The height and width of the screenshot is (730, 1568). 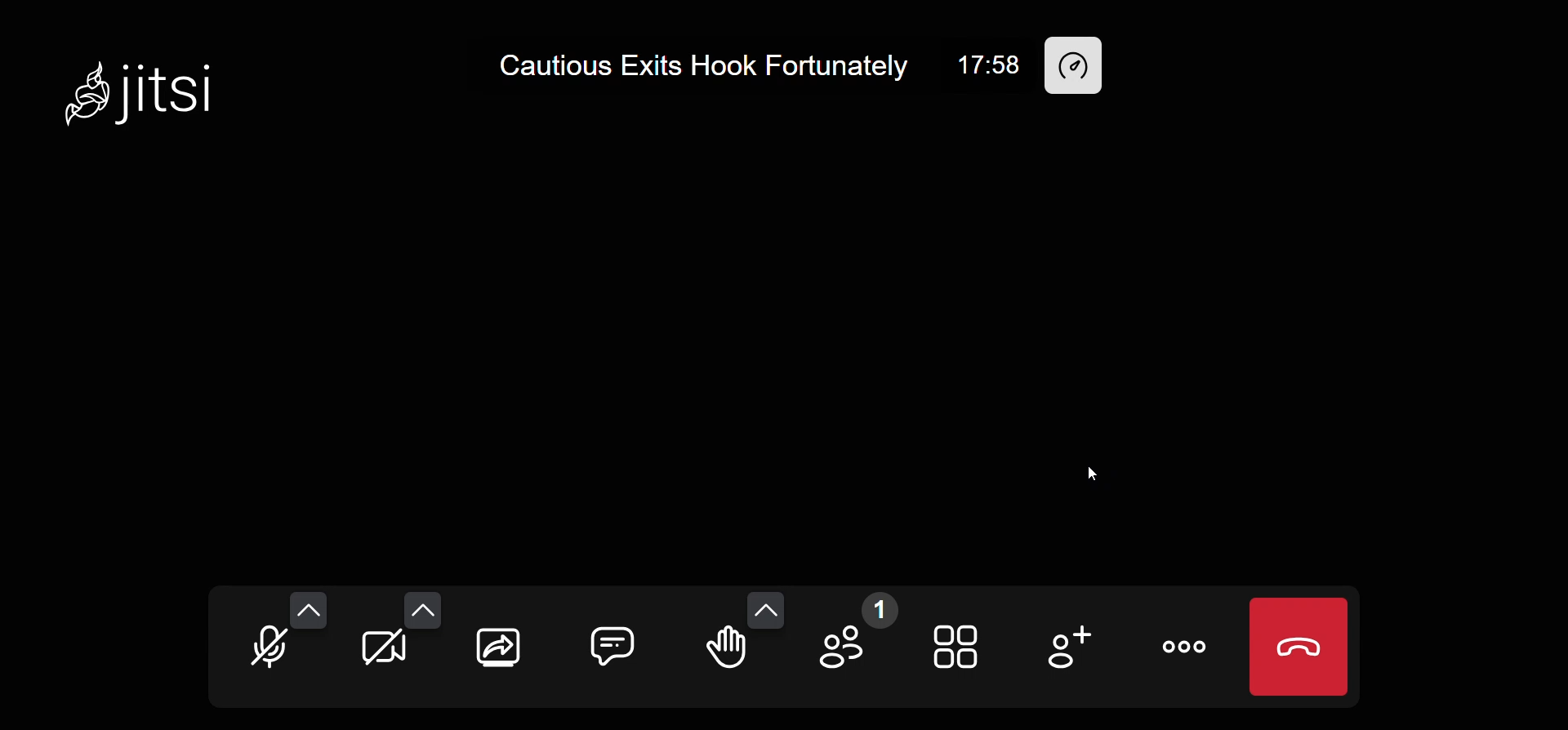 What do you see at coordinates (423, 609) in the screenshot?
I see `more camera option` at bounding box center [423, 609].